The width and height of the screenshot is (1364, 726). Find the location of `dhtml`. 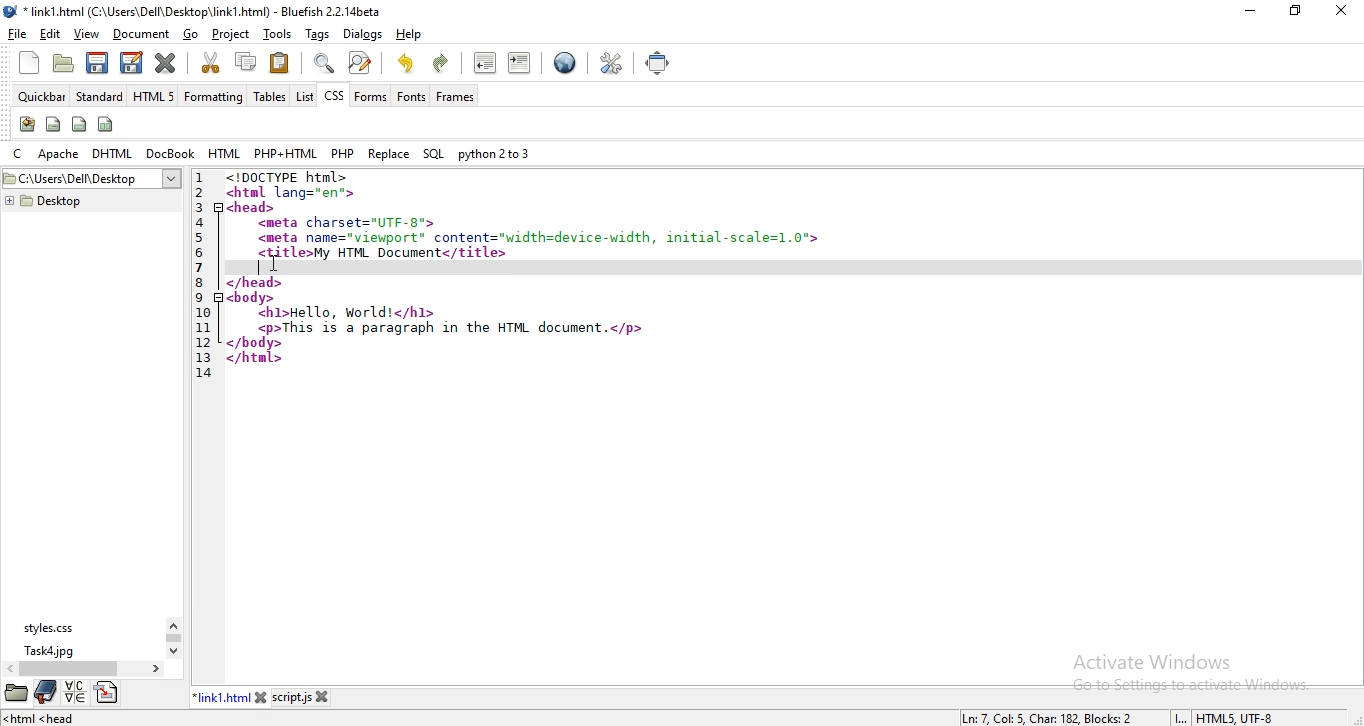

dhtml is located at coordinates (112, 154).